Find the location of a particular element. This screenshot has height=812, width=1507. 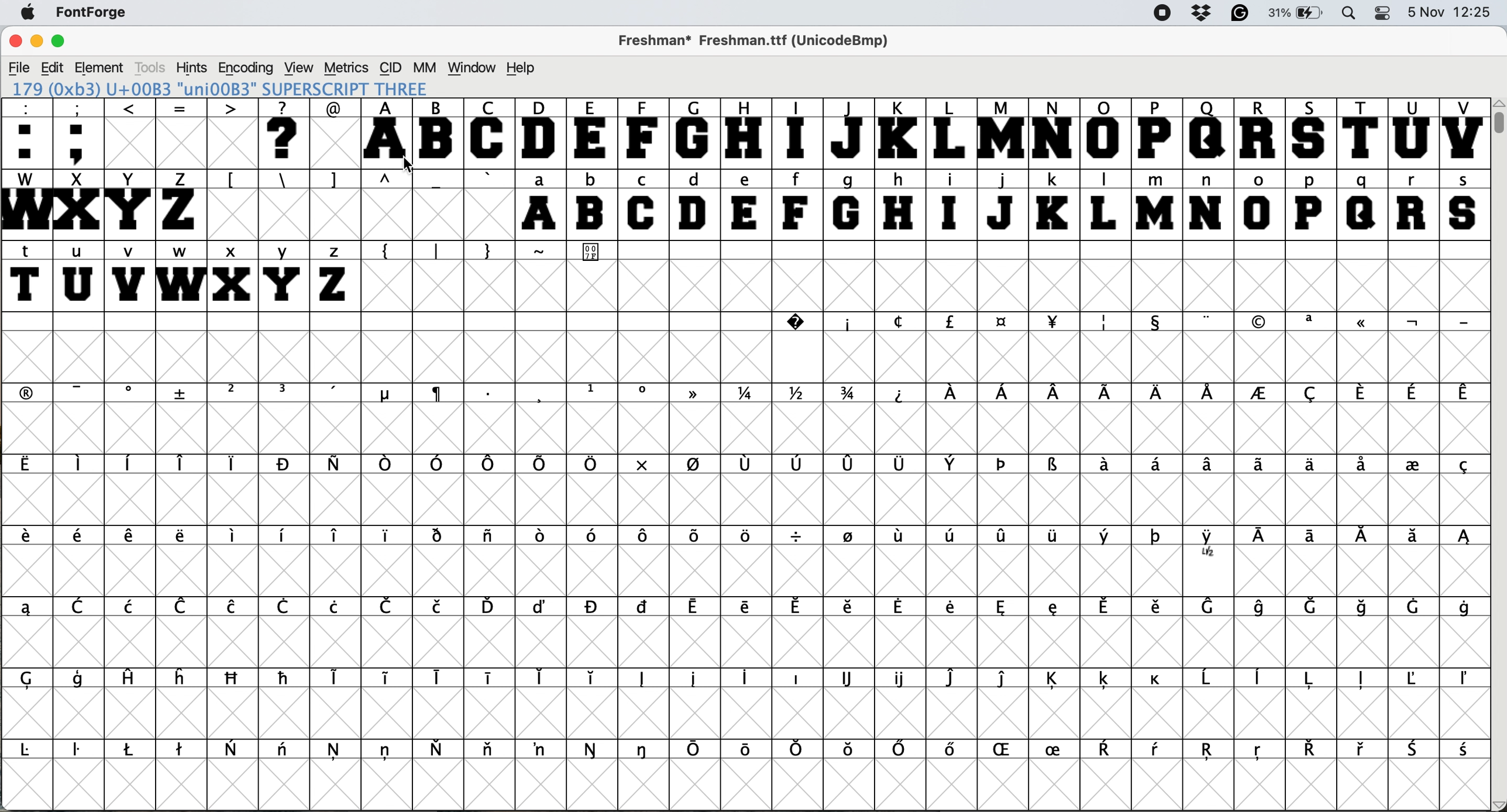

symbol is located at coordinates (540, 607).